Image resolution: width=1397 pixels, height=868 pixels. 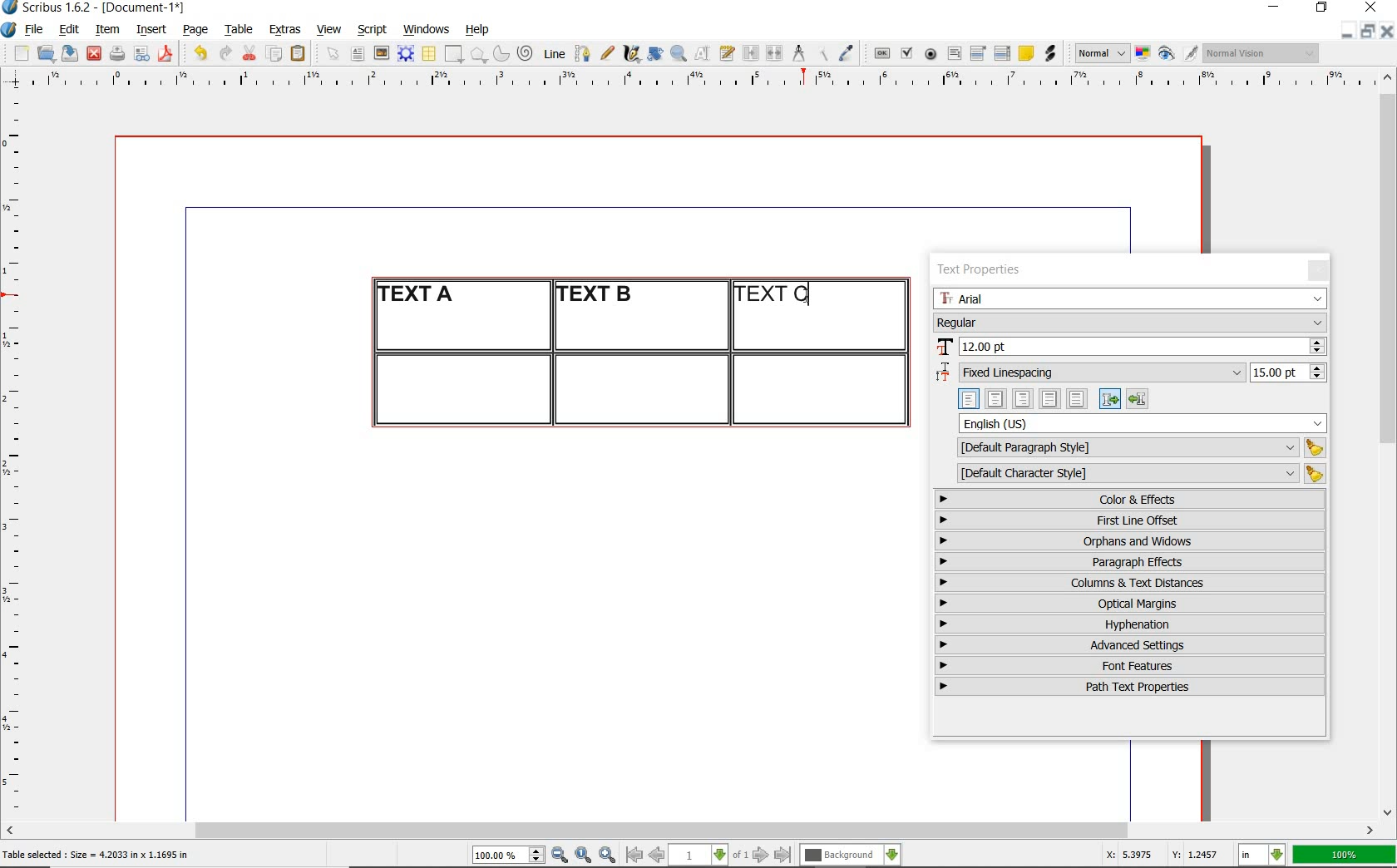 I want to click on item, so click(x=106, y=30).